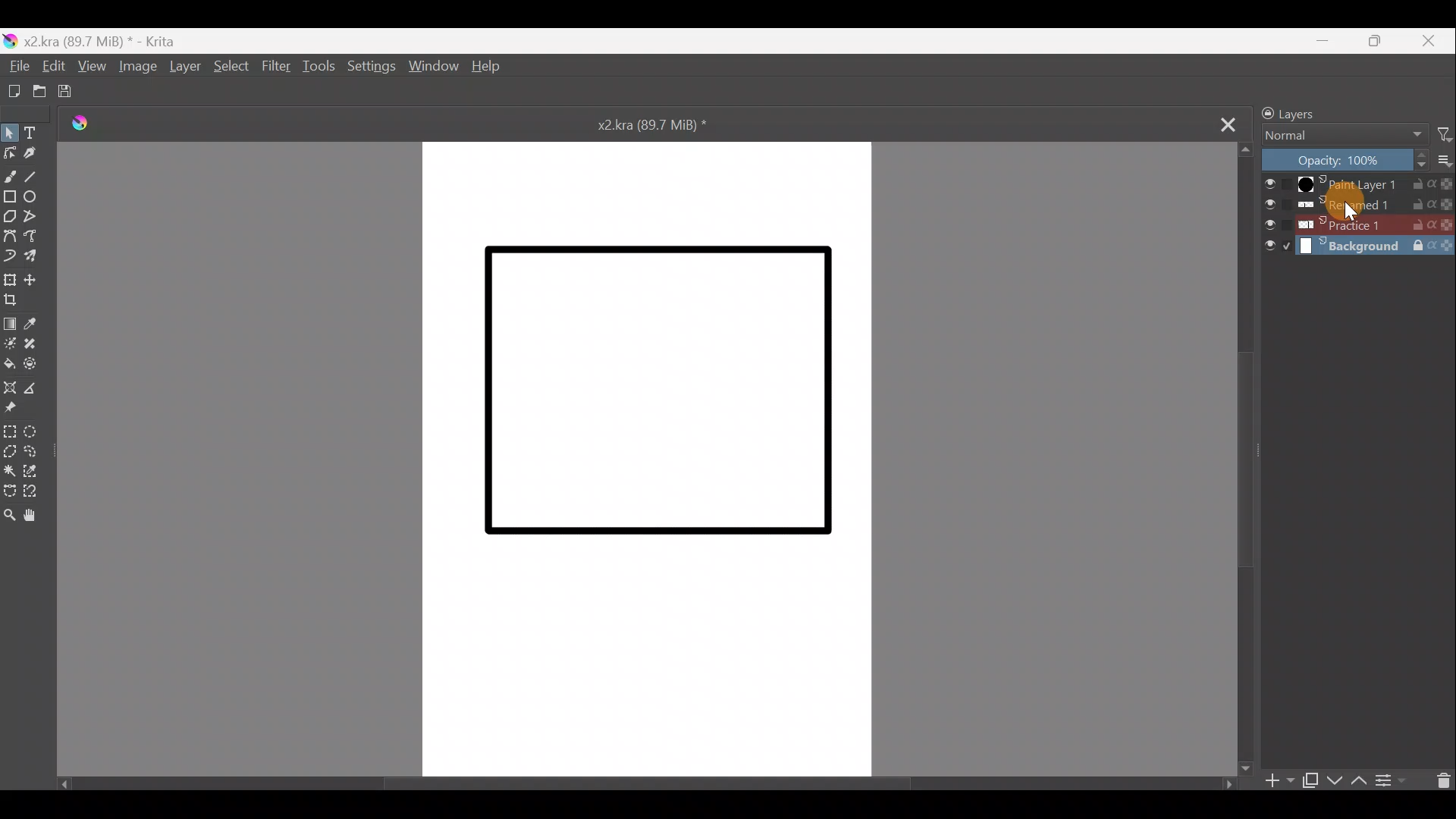 The width and height of the screenshot is (1456, 819). I want to click on Freehand path tool, so click(33, 237).